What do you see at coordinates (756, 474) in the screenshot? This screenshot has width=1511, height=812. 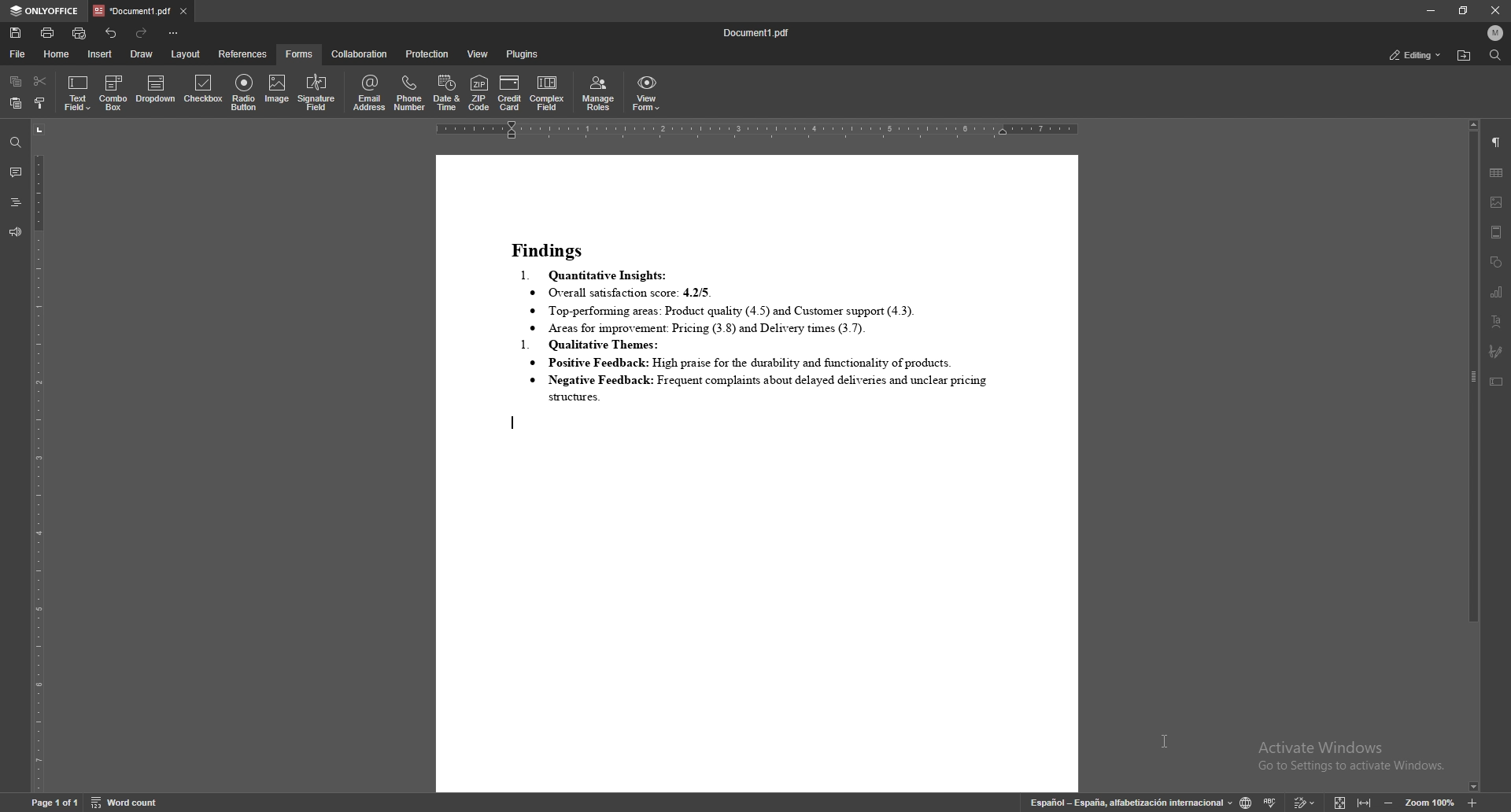 I see `document` at bounding box center [756, 474].